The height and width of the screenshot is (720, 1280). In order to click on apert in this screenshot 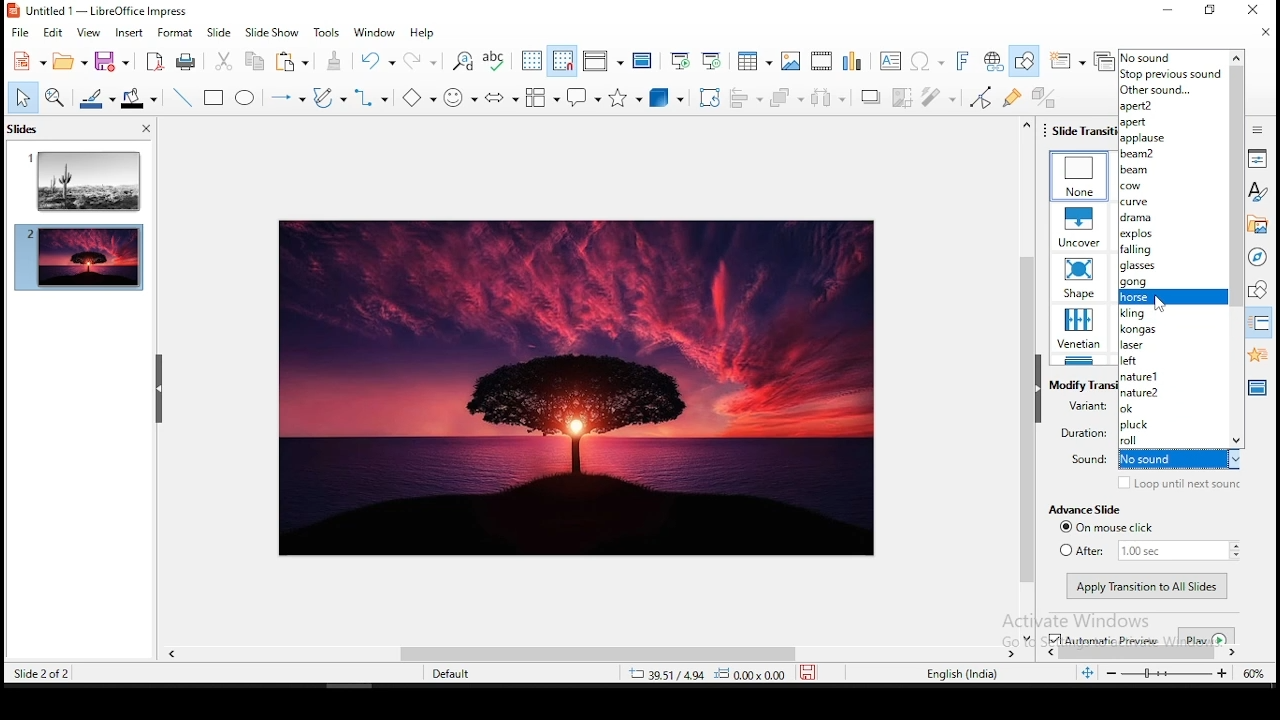, I will do `click(1172, 122)`.